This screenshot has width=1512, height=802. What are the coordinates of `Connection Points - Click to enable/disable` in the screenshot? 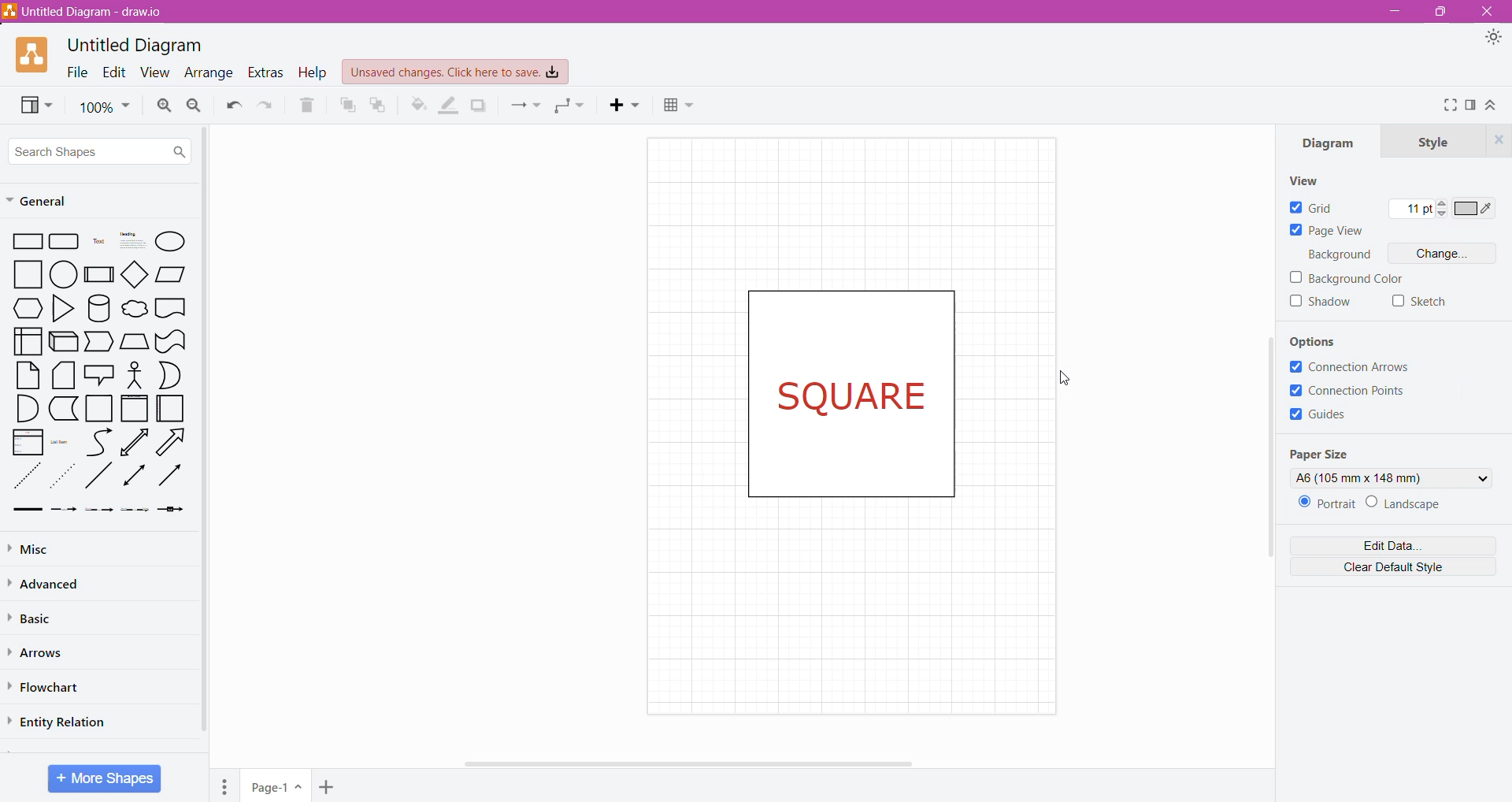 It's located at (1355, 392).